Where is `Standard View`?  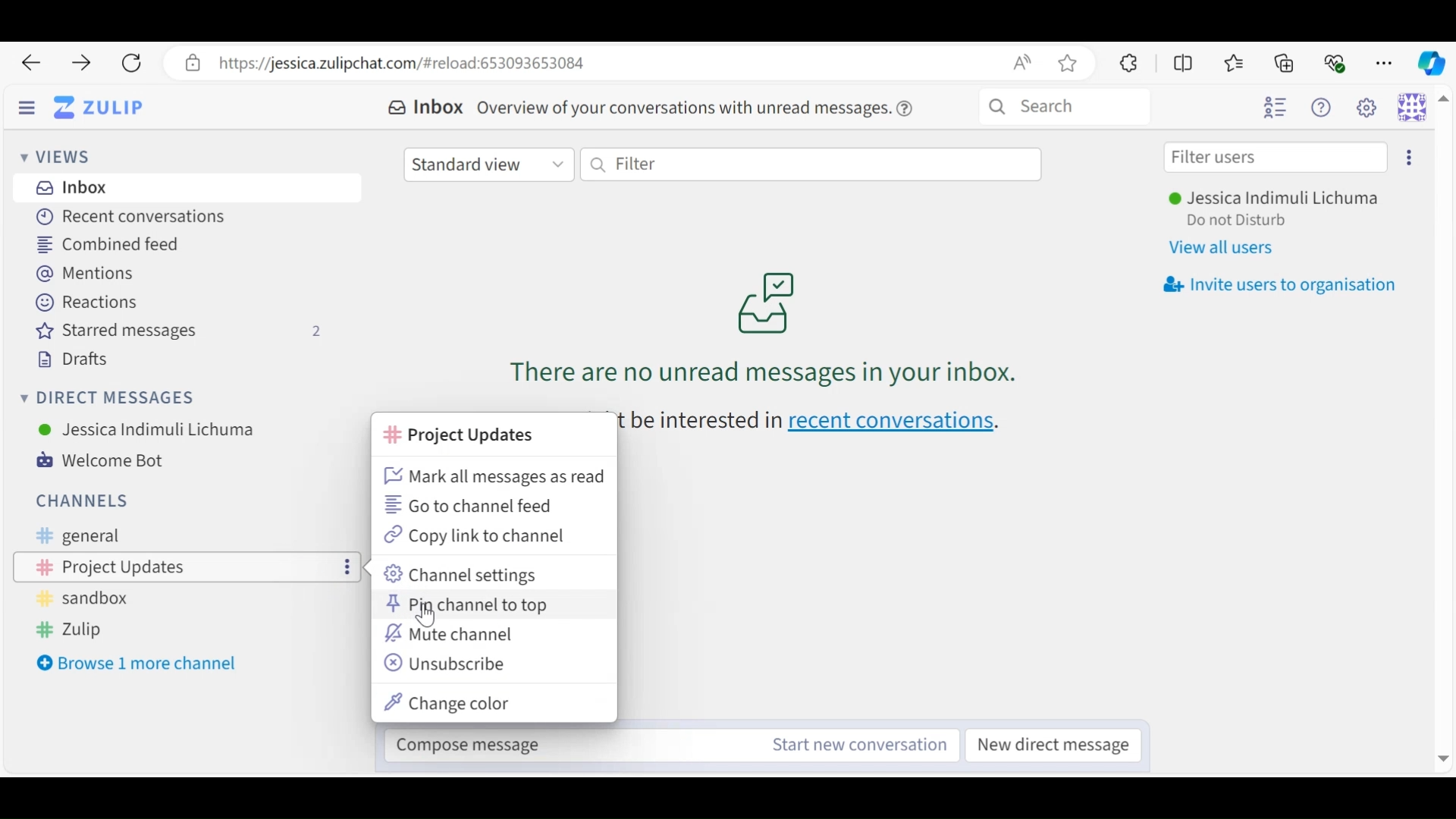
Standard View is located at coordinates (490, 163).